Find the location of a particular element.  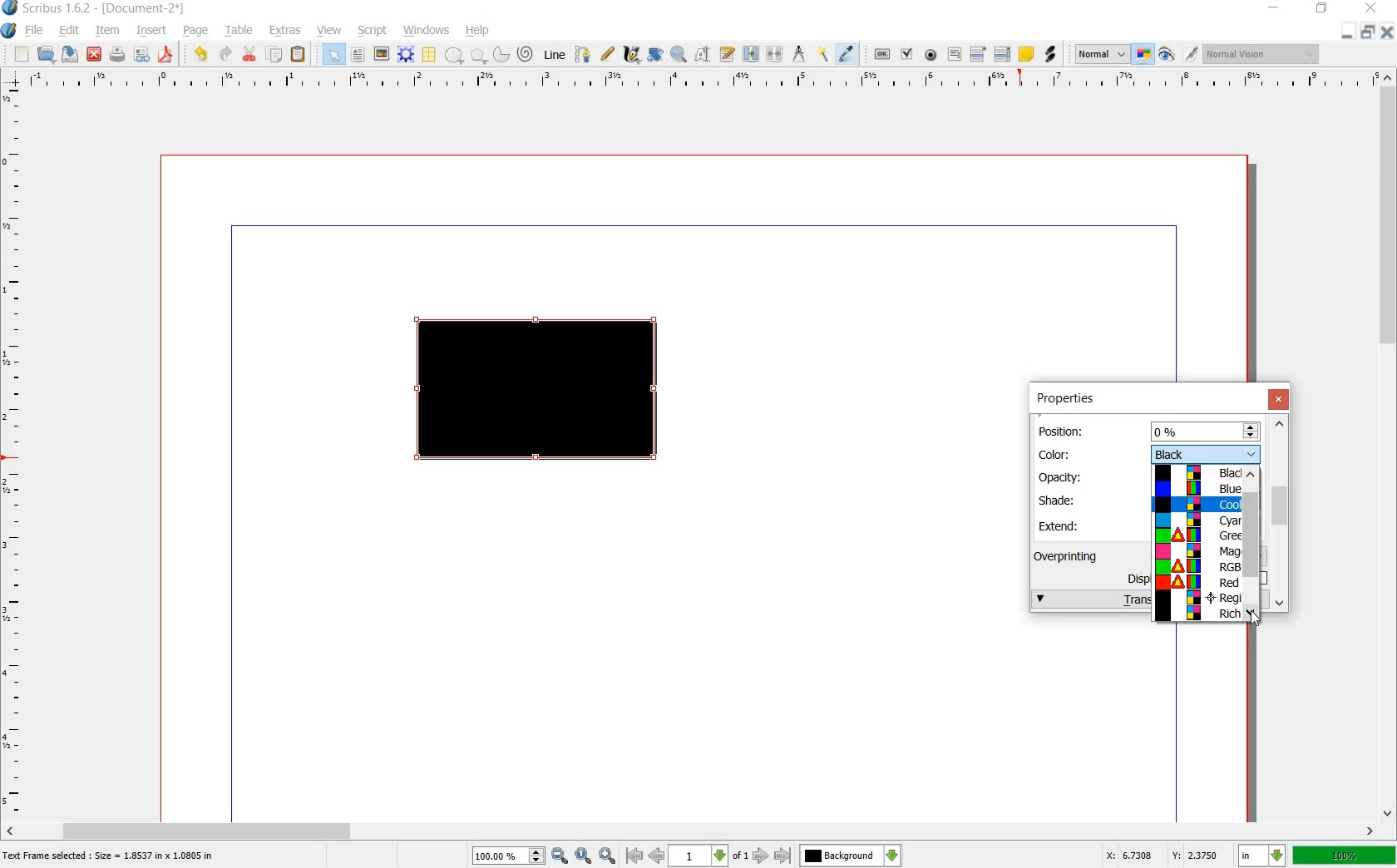

render frame is located at coordinates (406, 55).